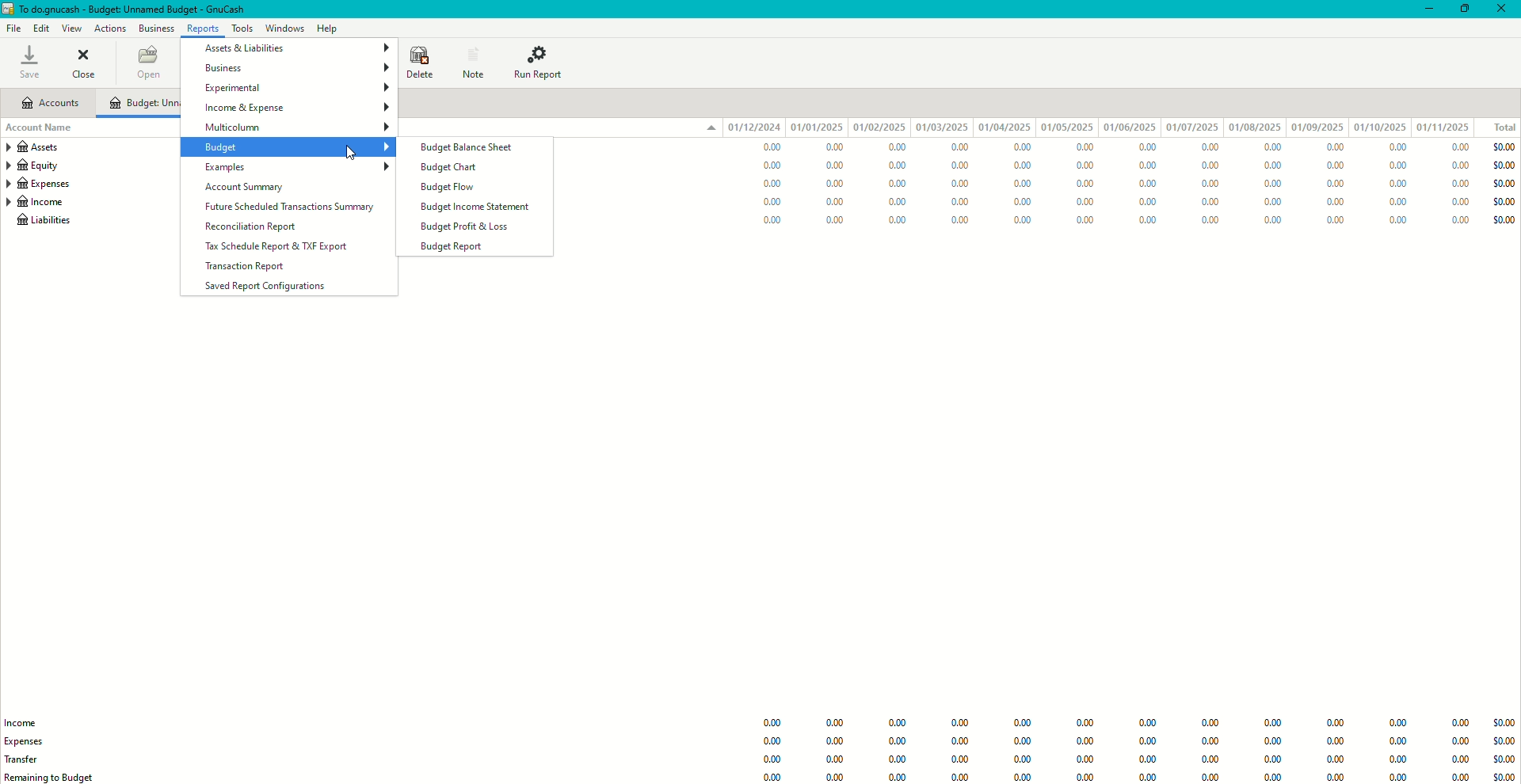 The image size is (1521, 784). What do you see at coordinates (770, 222) in the screenshot?
I see `0.00` at bounding box center [770, 222].